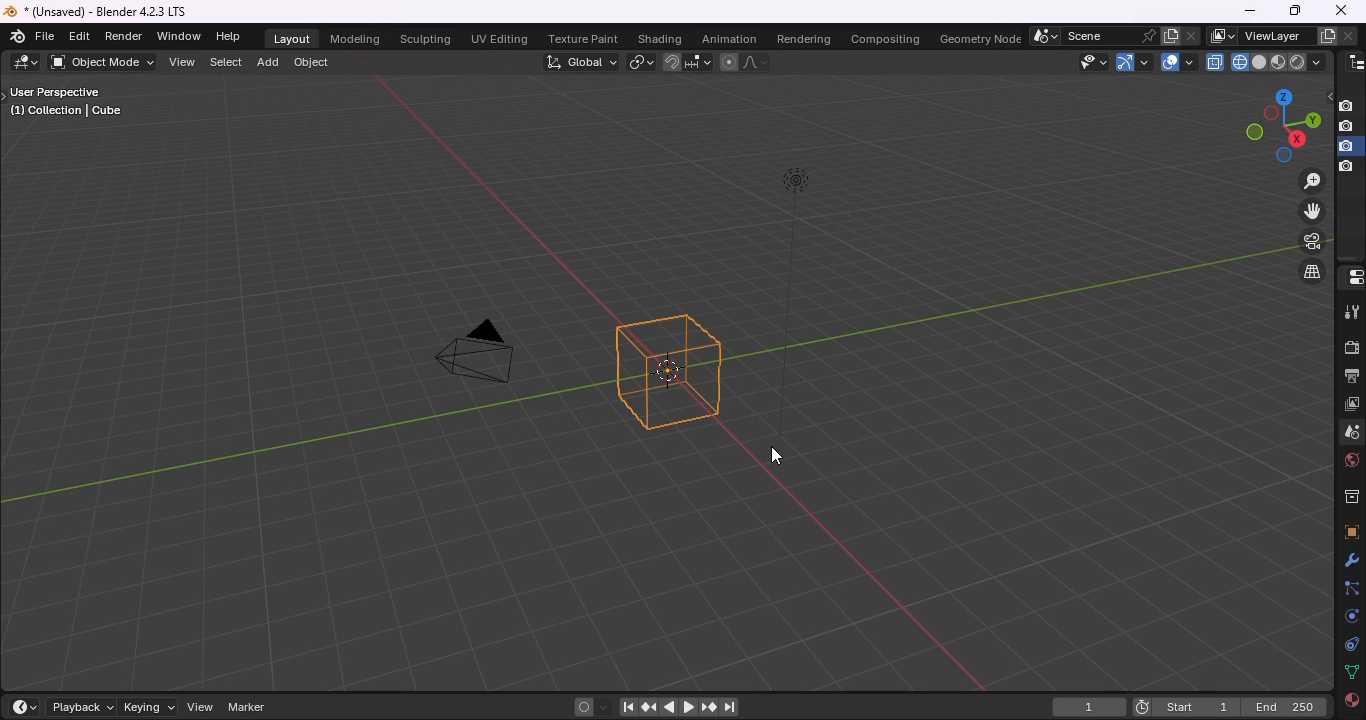 Image resolution: width=1366 pixels, height=720 pixels. What do you see at coordinates (85, 707) in the screenshot?
I see `playback` at bounding box center [85, 707].